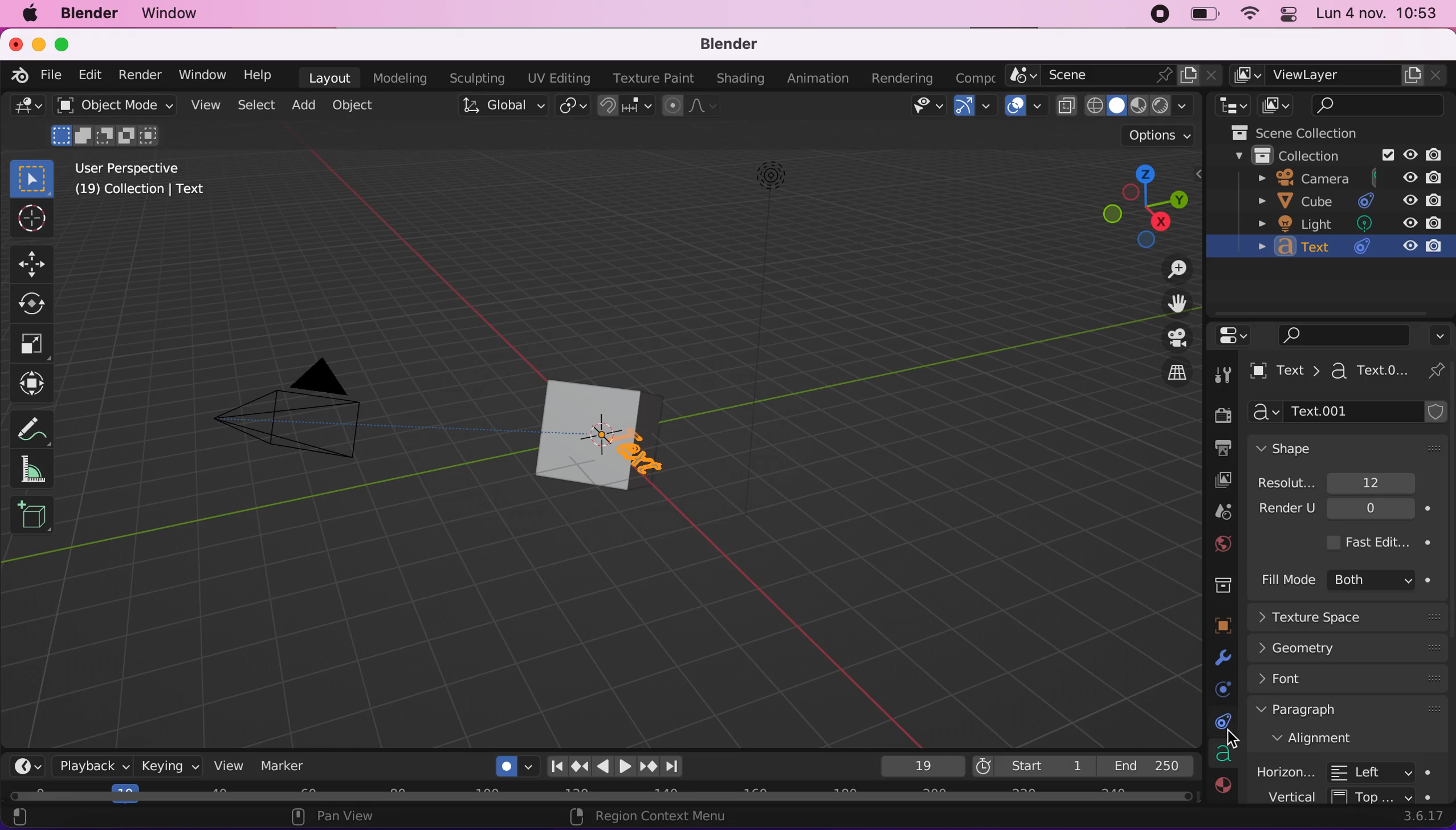  I want to click on composting, so click(972, 76).